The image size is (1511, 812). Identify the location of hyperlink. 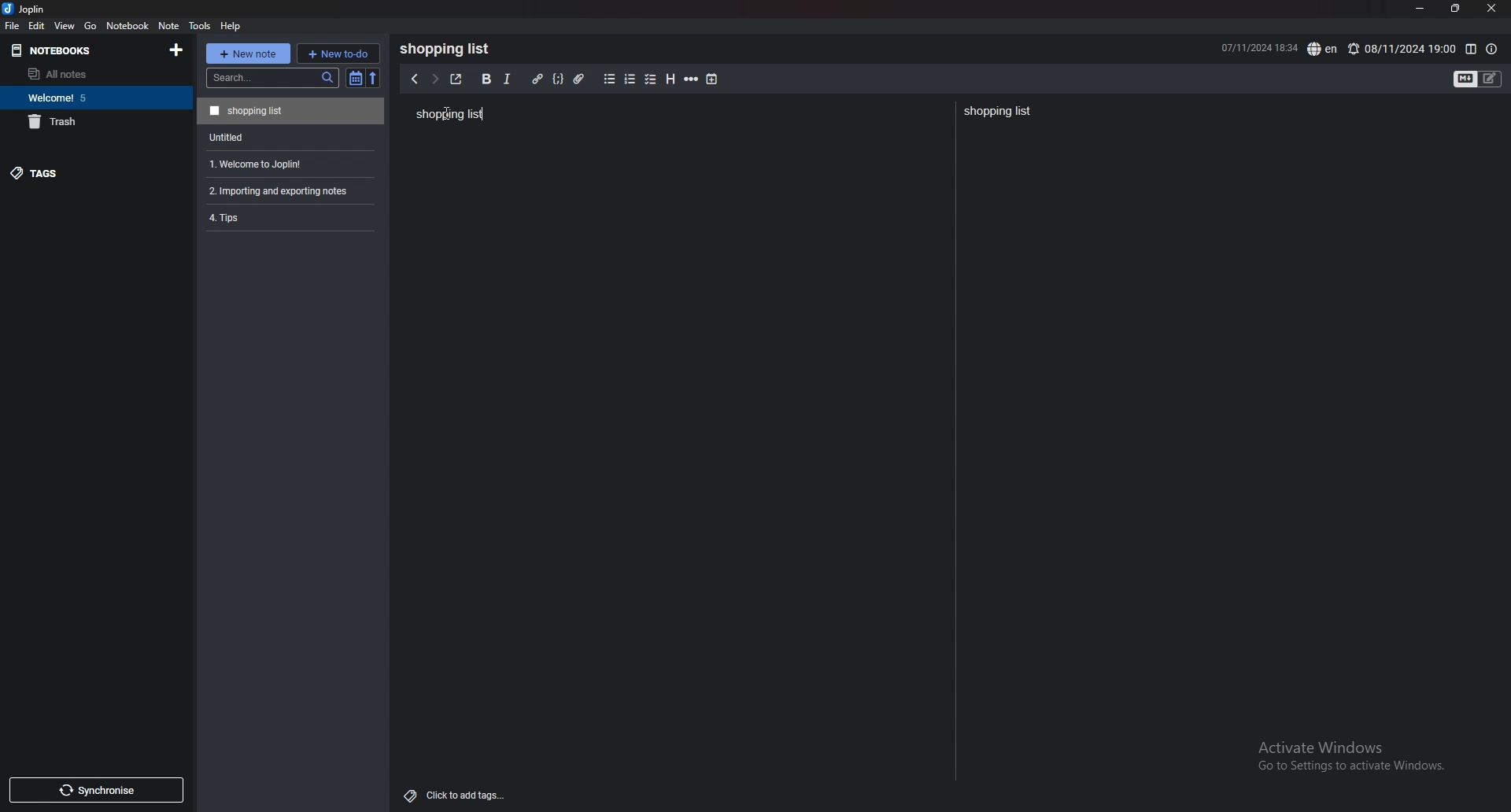
(538, 79).